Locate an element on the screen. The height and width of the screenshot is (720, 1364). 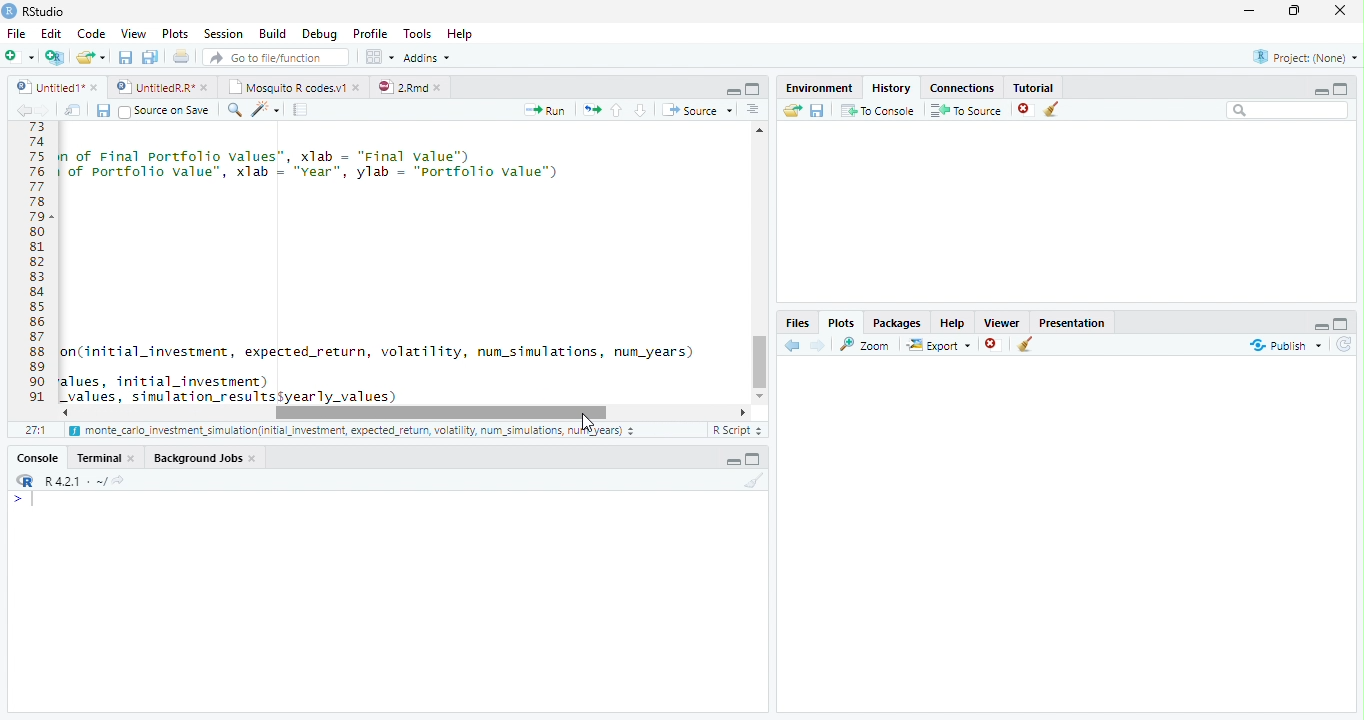
Save all open files is located at coordinates (149, 57).